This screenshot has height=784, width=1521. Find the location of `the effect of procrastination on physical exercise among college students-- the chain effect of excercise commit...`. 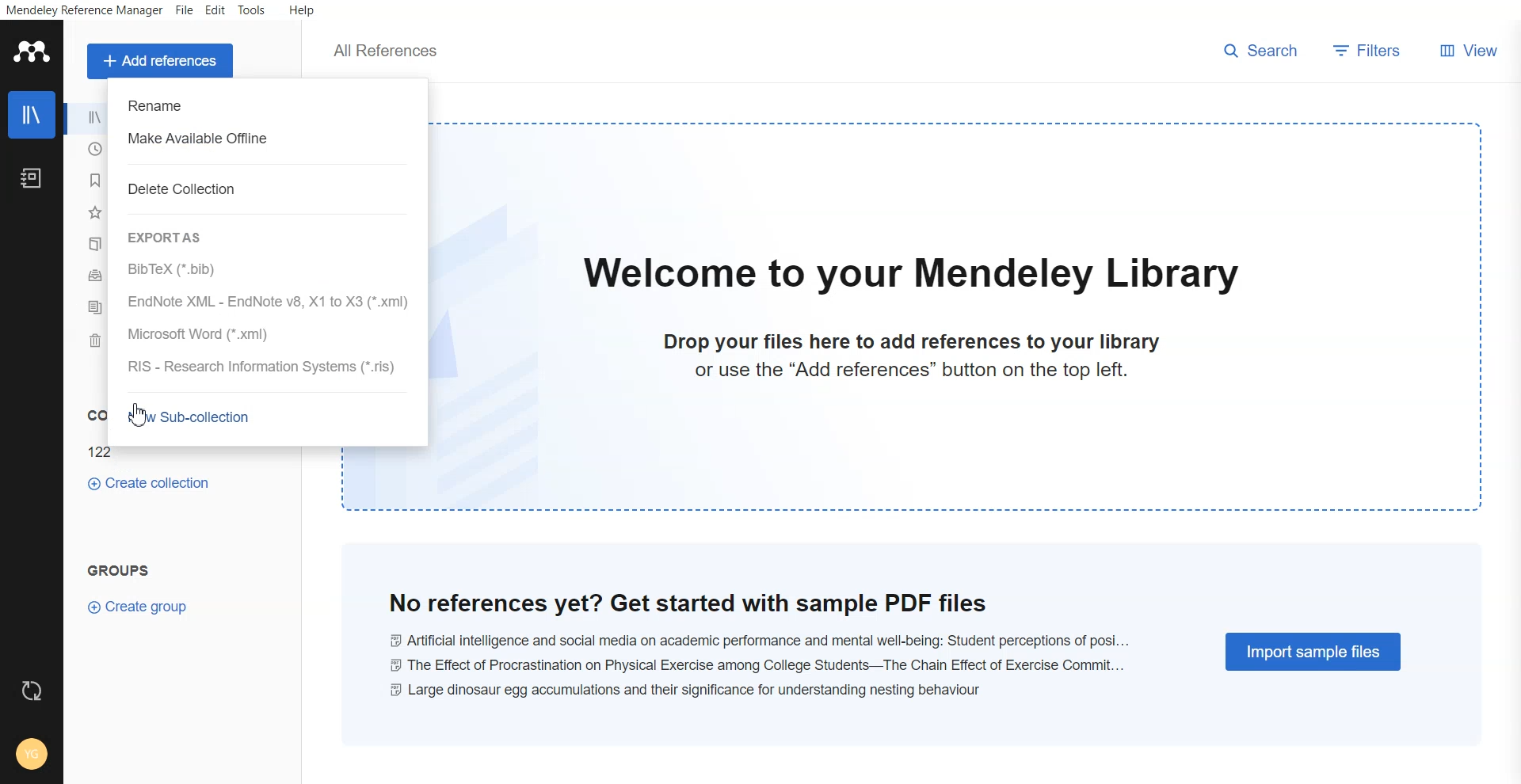

the effect of procrastination on physical exercise among college students-- the chain effect of excercise commit... is located at coordinates (760, 663).